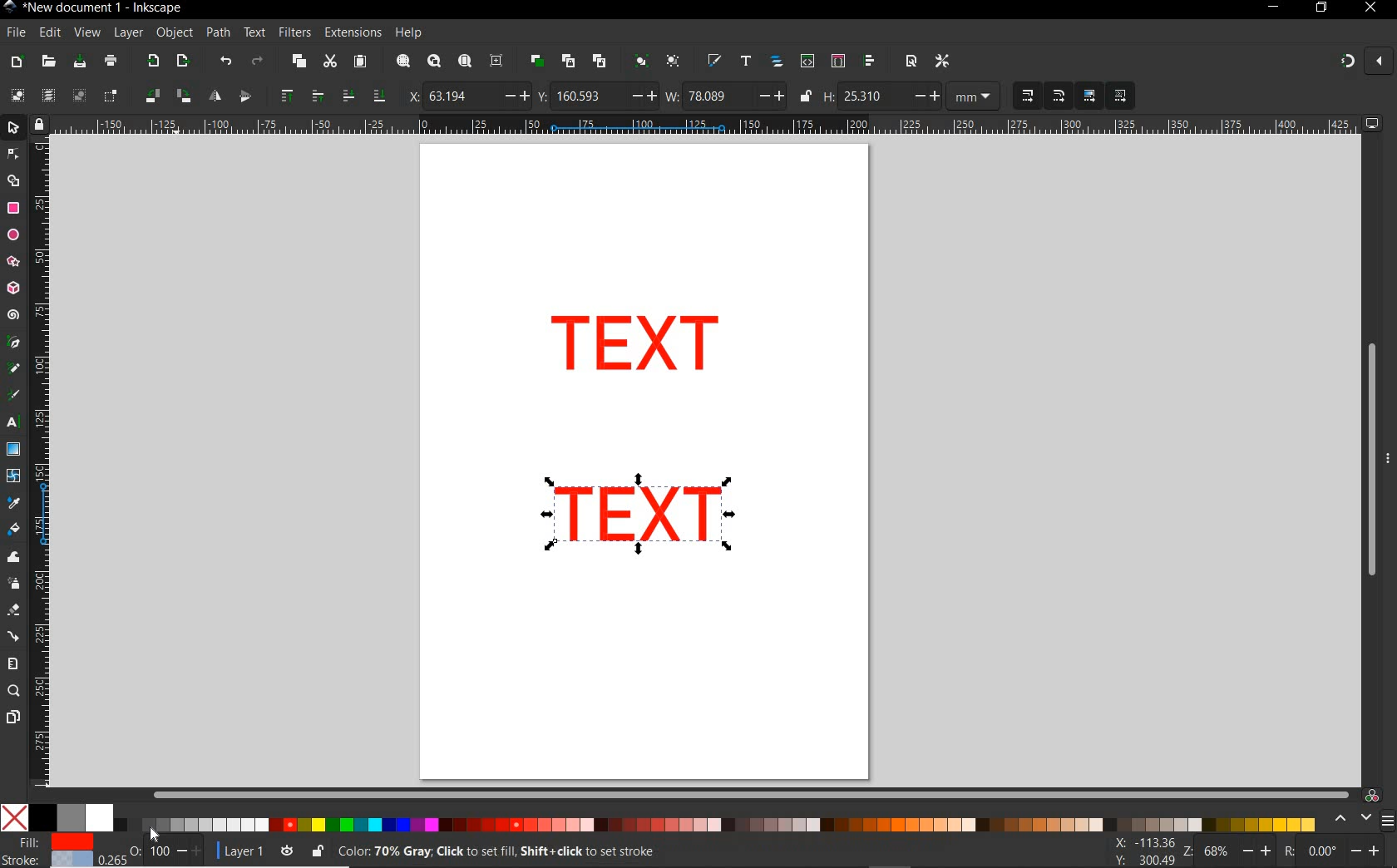  Describe the element at coordinates (317, 850) in the screenshot. I see `lock/unlock current layer` at that location.